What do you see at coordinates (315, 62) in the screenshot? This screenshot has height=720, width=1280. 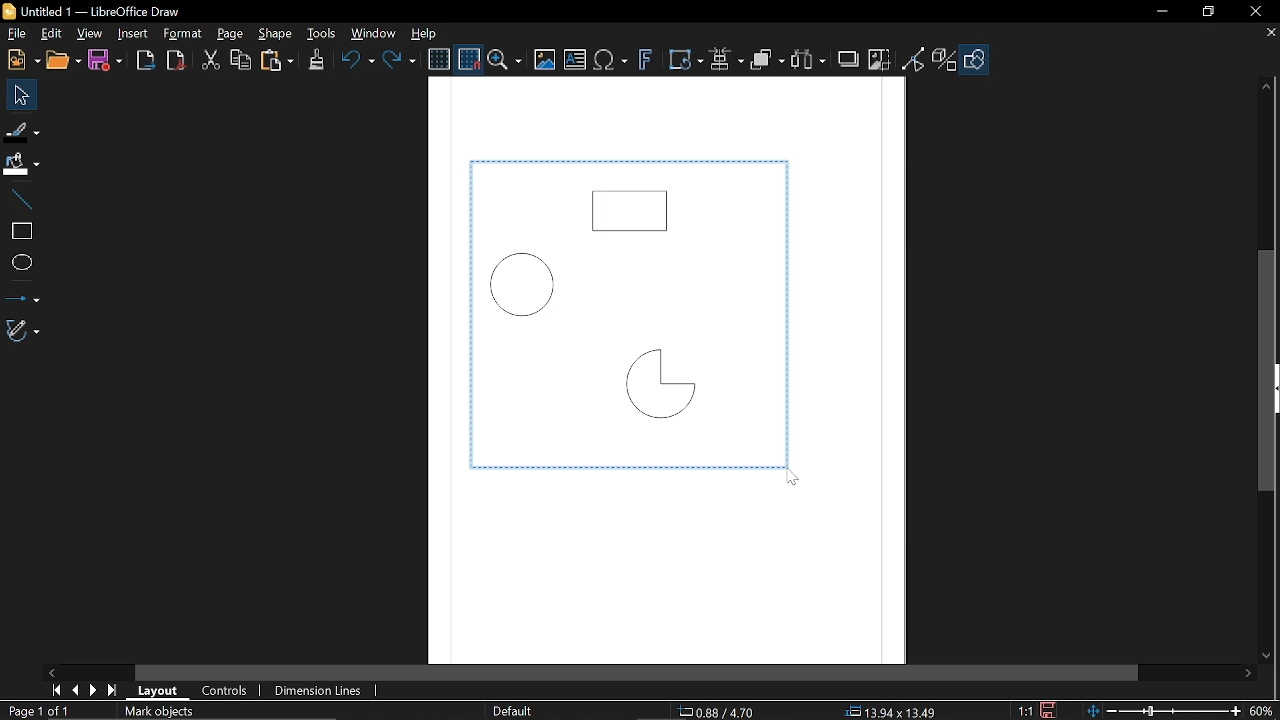 I see `Clone` at bounding box center [315, 62].